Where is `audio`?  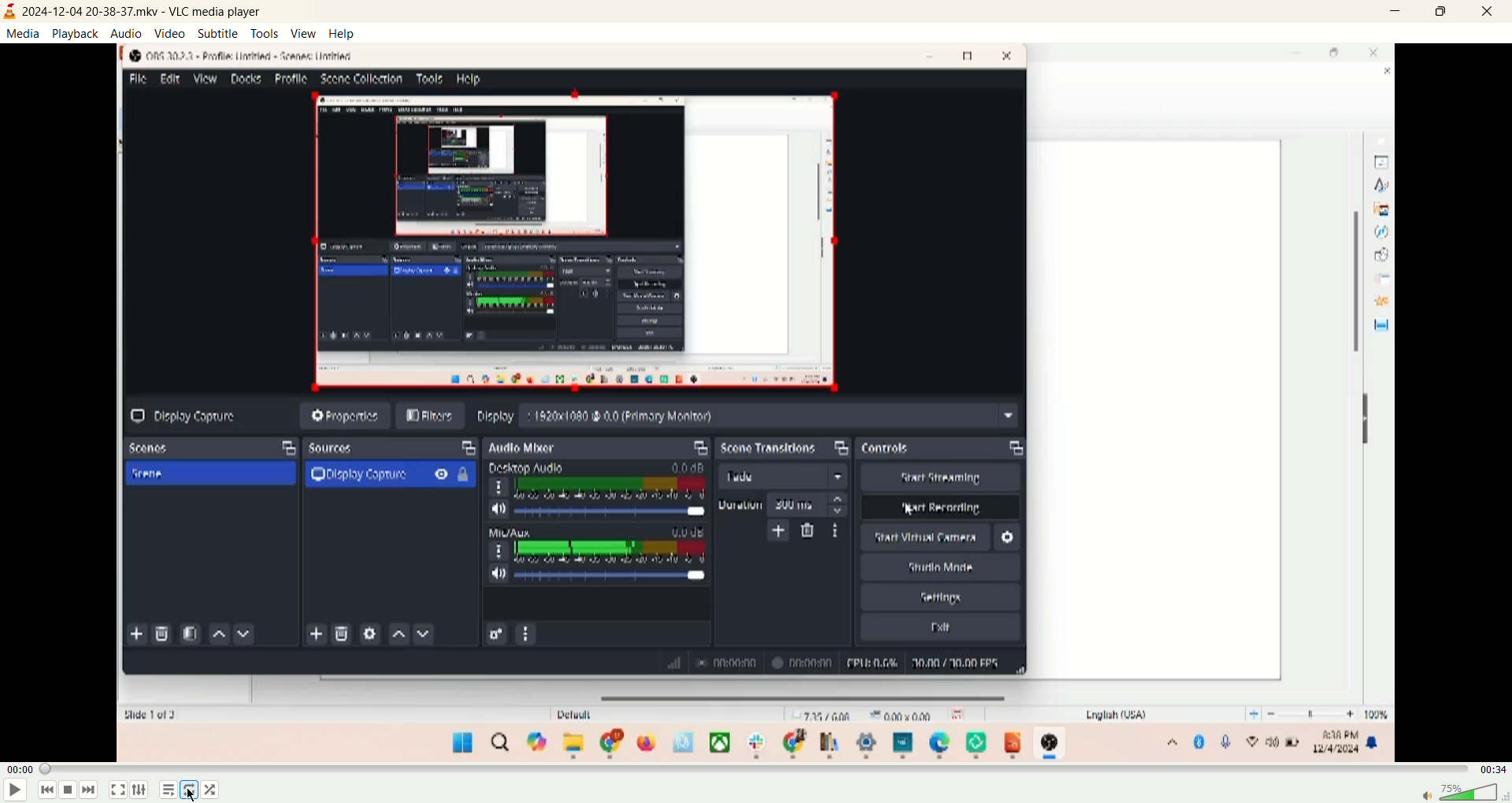
audio is located at coordinates (126, 32).